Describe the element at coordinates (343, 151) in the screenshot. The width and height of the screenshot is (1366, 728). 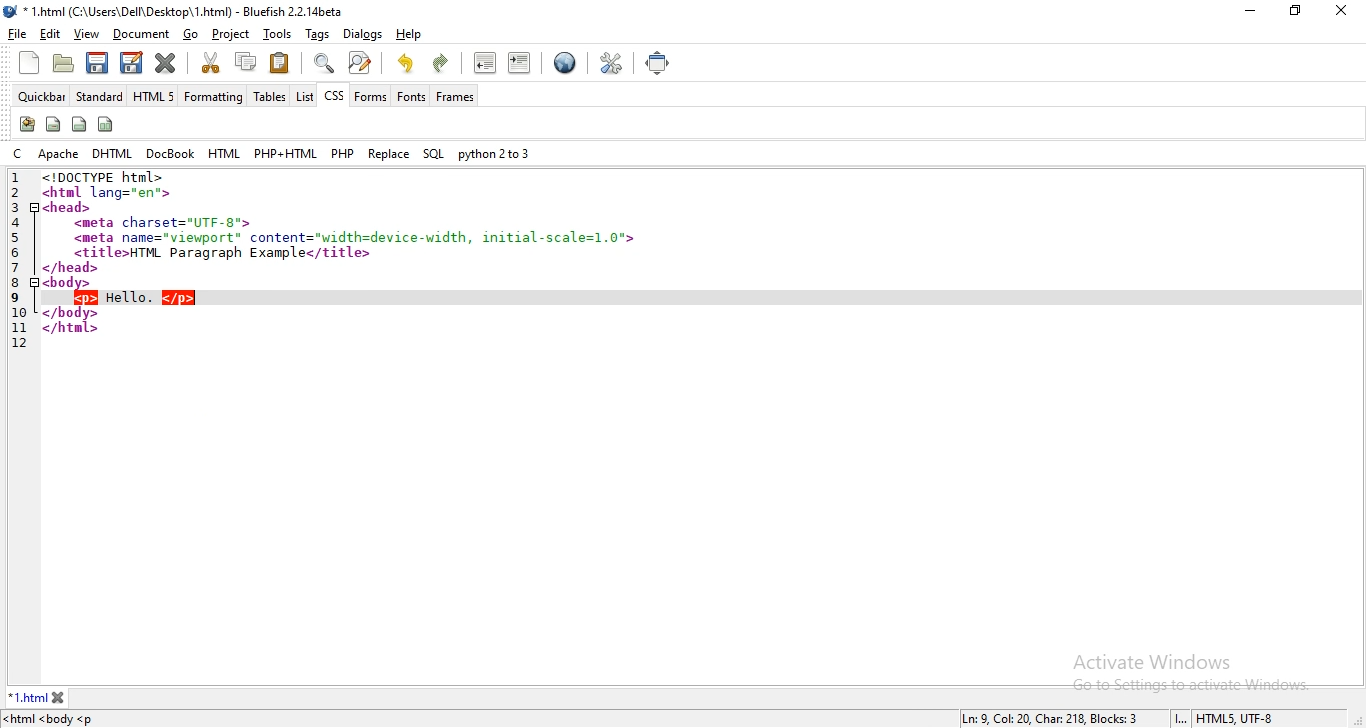
I see `php` at that location.